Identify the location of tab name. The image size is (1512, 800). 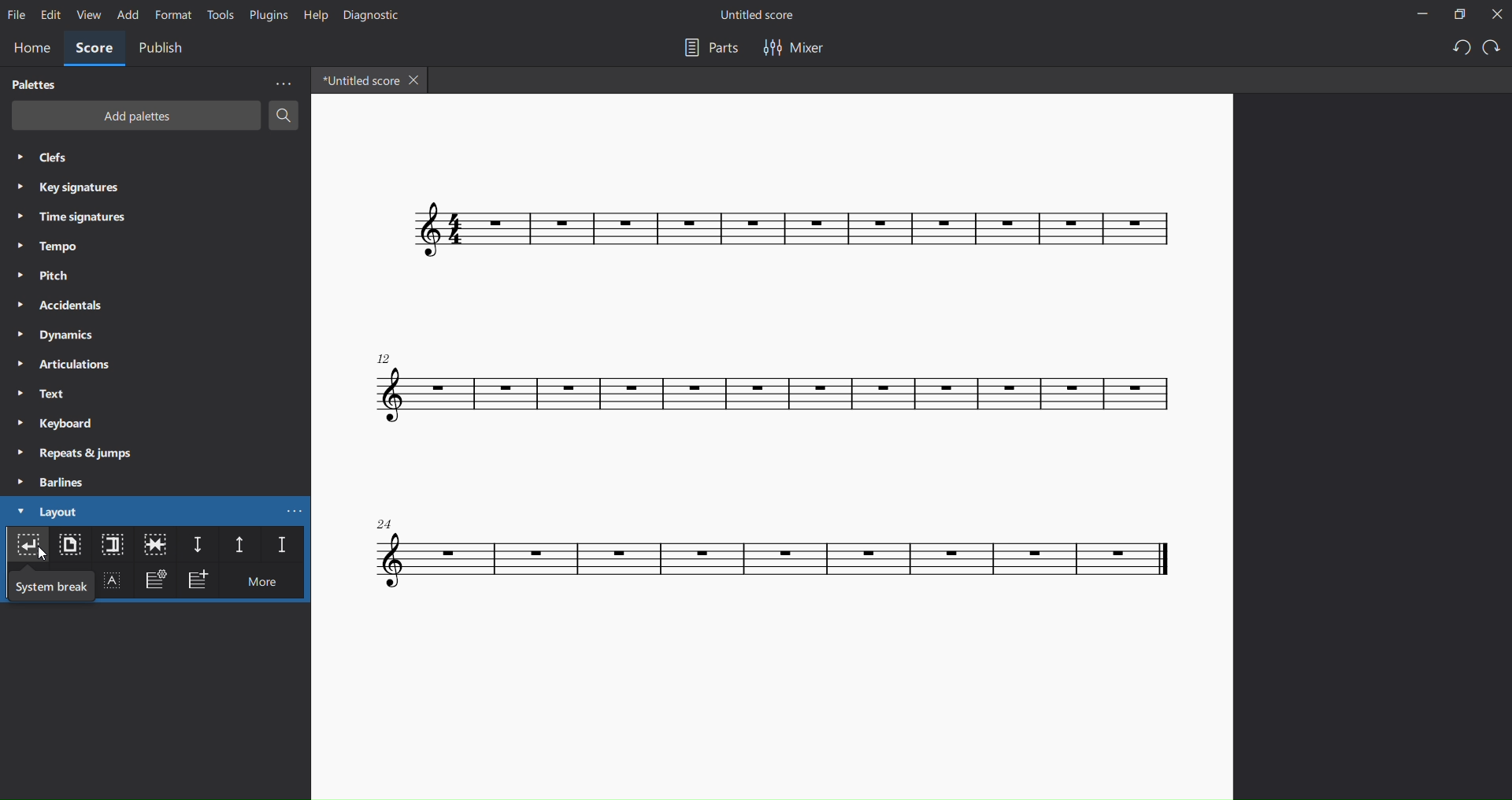
(357, 80).